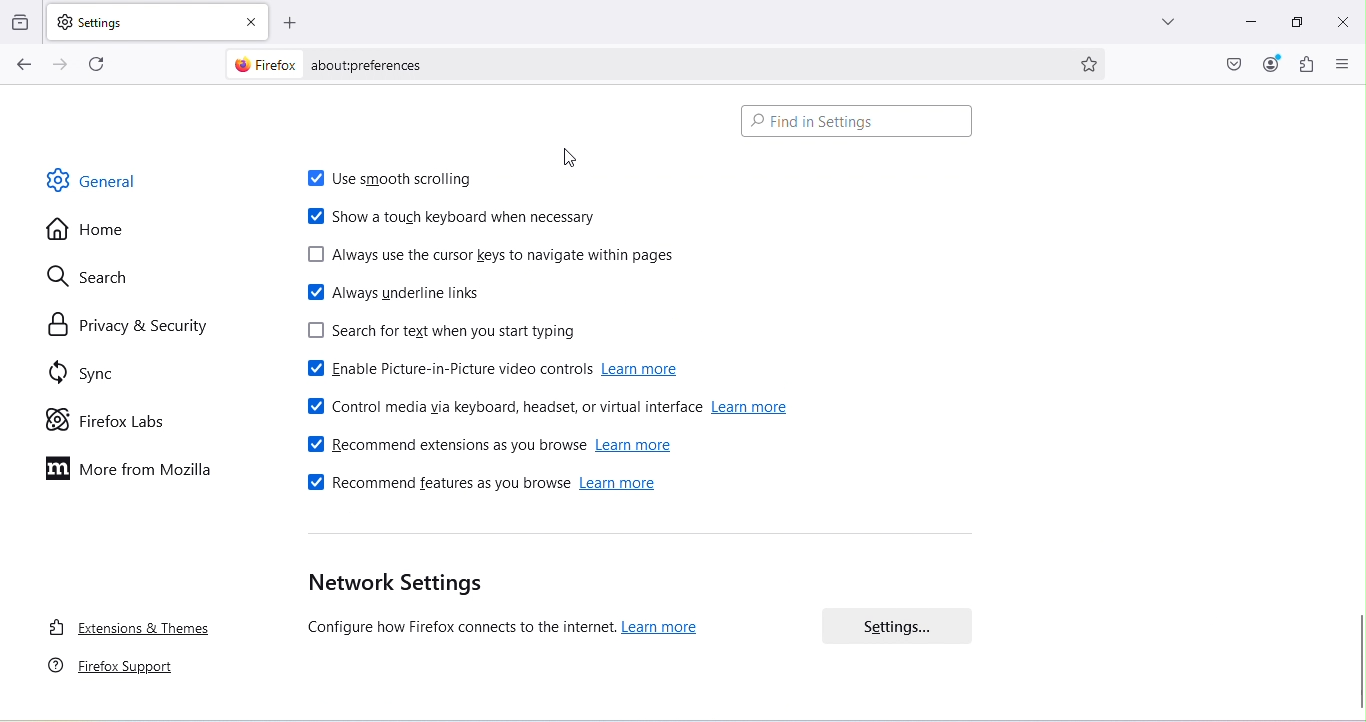 This screenshot has height=722, width=1366. What do you see at coordinates (493, 259) in the screenshot?
I see `Always use the cursor keys to navigate within pages` at bounding box center [493, 259].